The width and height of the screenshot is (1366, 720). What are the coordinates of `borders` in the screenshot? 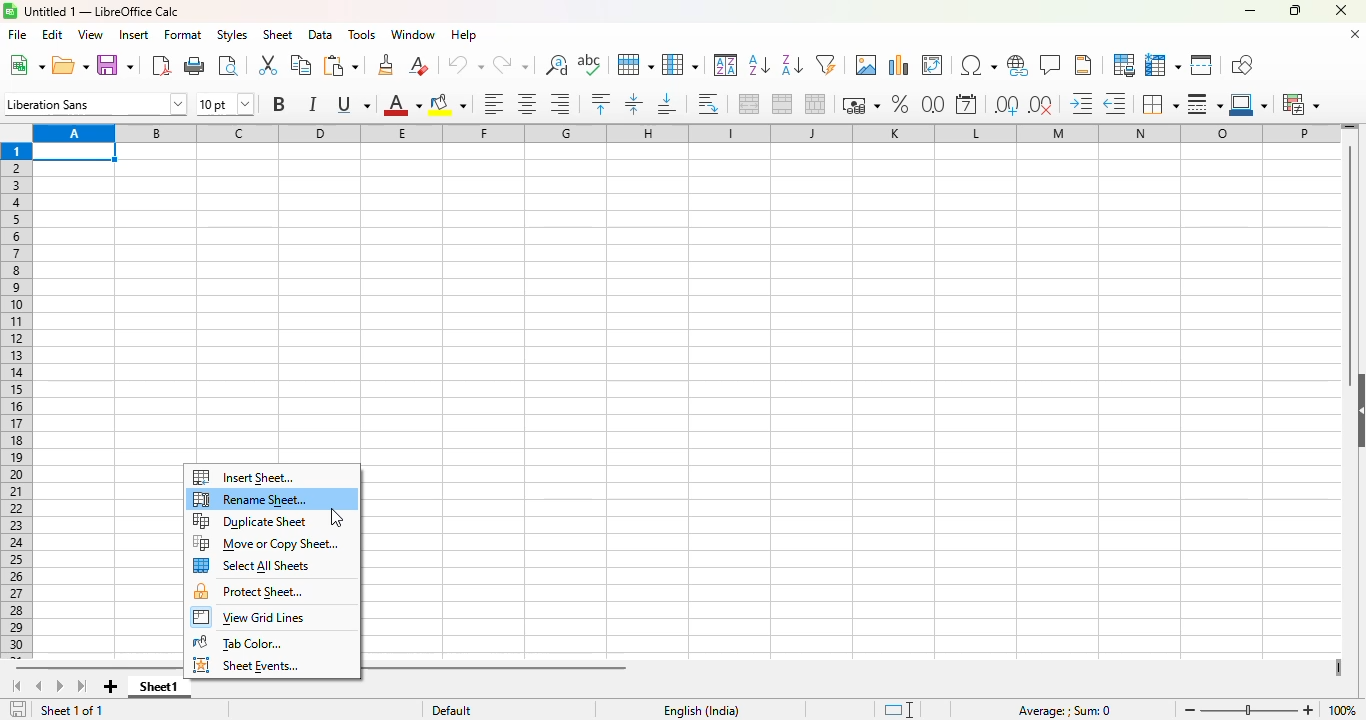 It's located at (1159, 104).